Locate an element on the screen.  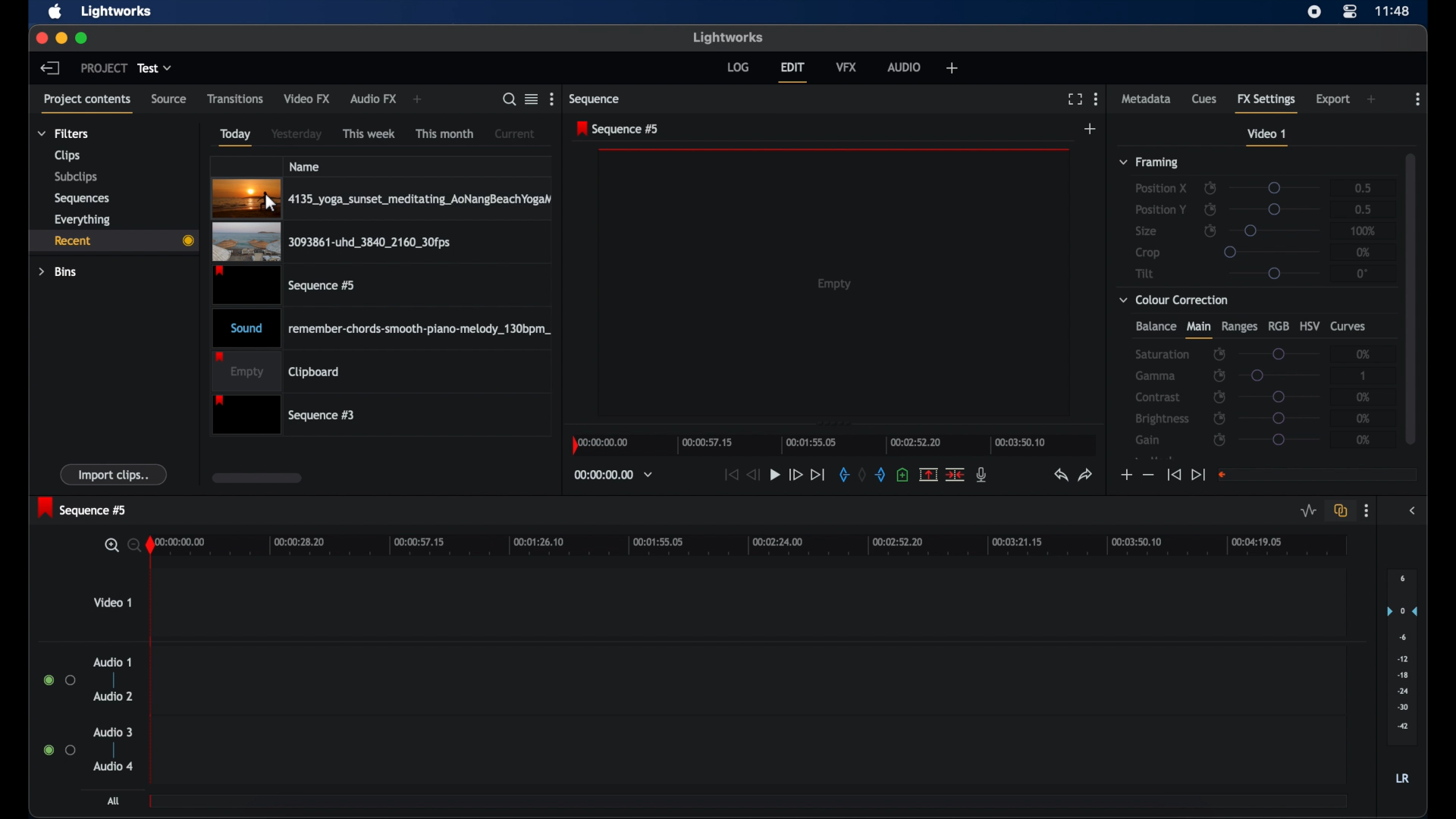
all is located at coordinates (114, 801).